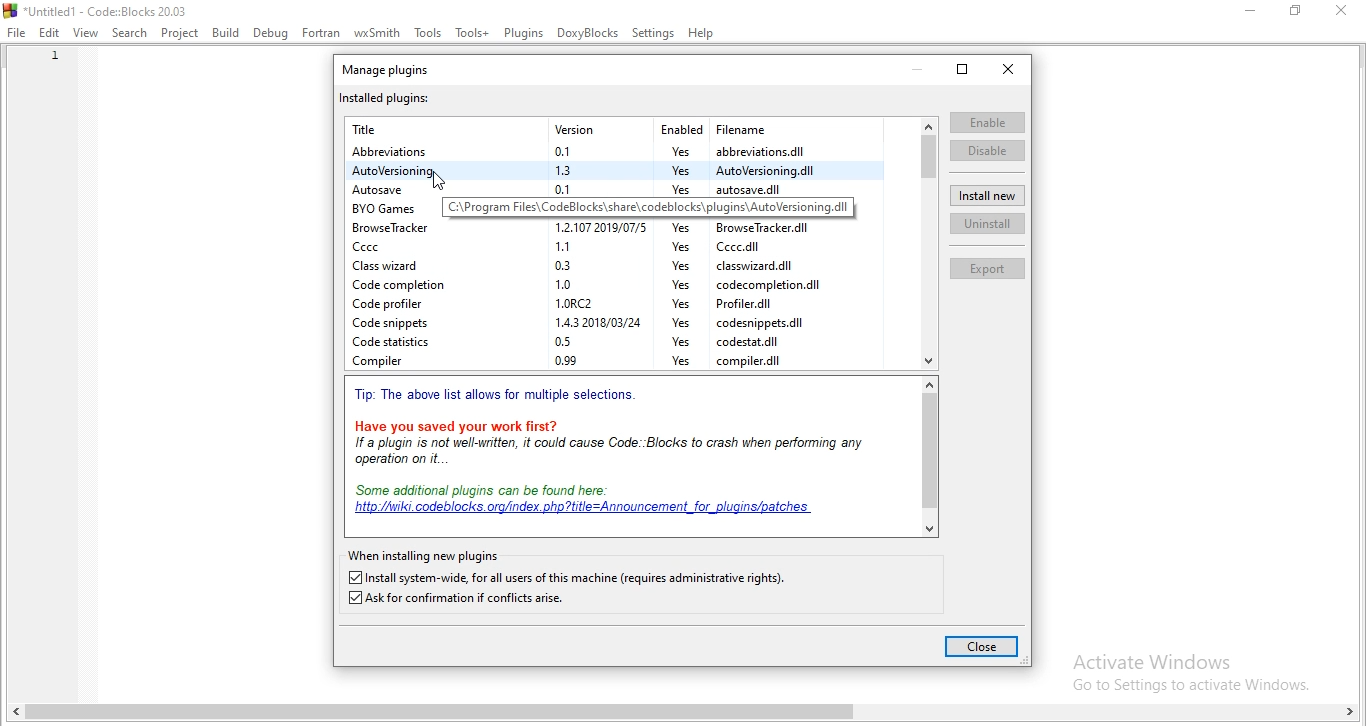 The width and height of the screenshot is (1366, 726). What do you see at coordinates (586, 170) in the screenshot?
I see `AutoVersioning 1.3 Yes AutoVersioning.dil` at bounding box center [586, 170].